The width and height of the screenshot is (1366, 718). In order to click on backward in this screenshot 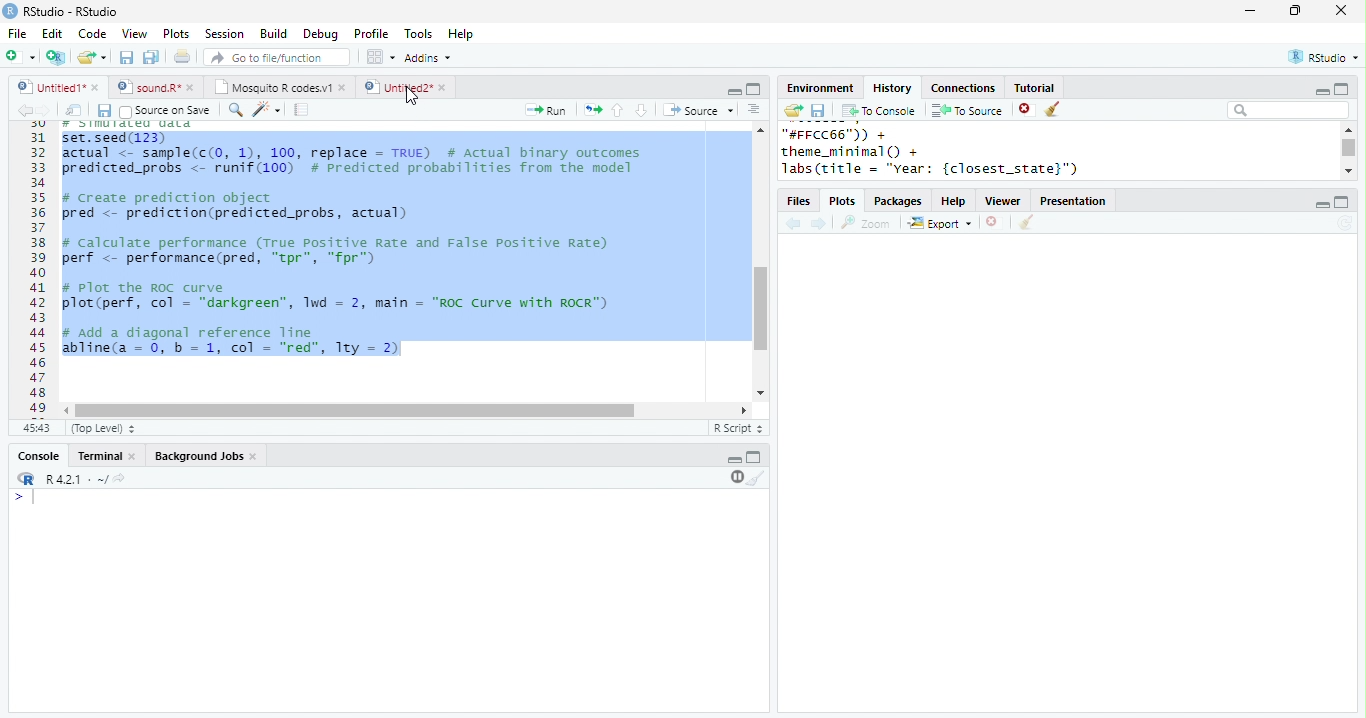, I will do `click(24, 110)`.